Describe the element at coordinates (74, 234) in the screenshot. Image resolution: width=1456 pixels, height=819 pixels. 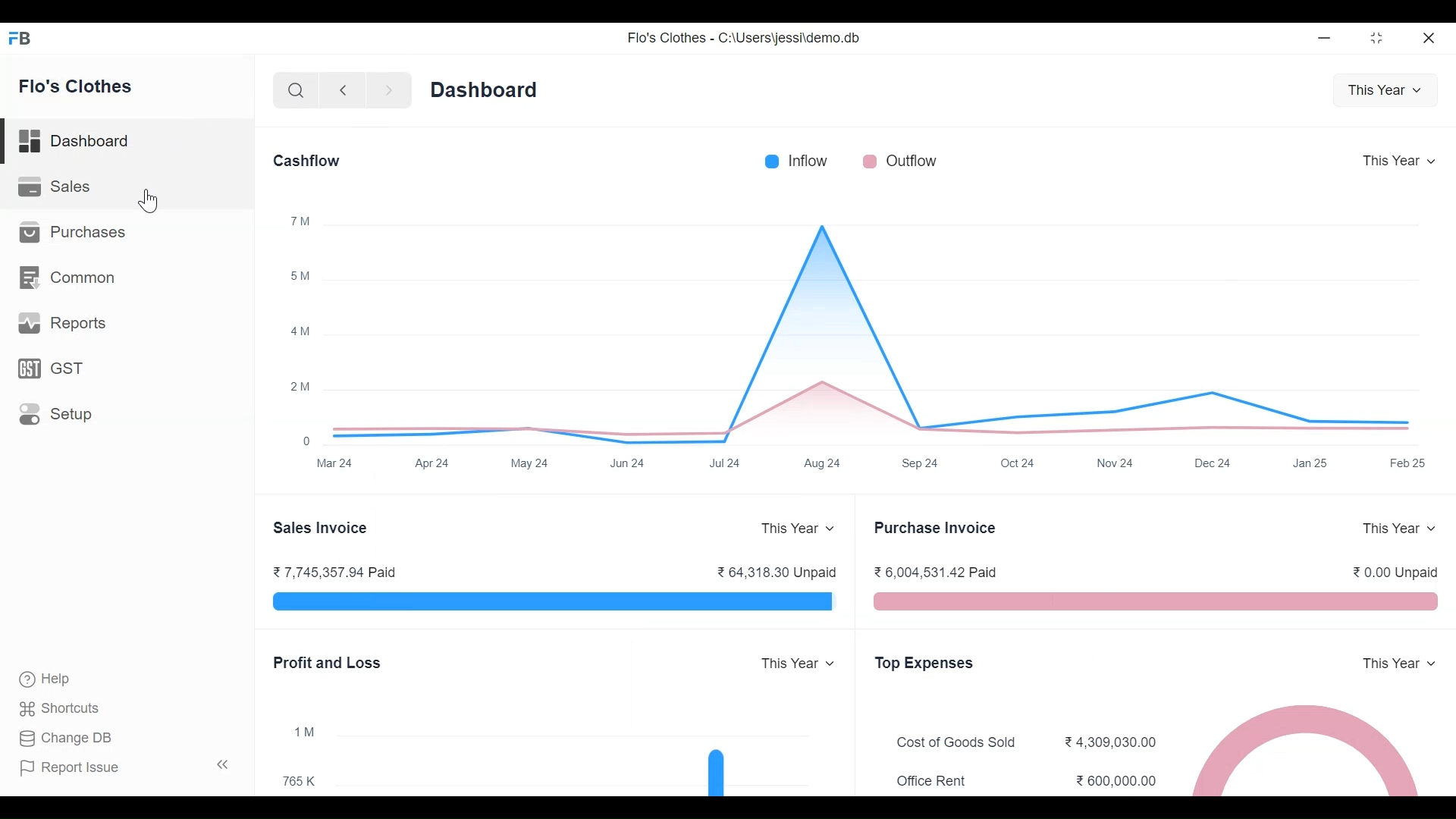
I see `Purchases` at that location.